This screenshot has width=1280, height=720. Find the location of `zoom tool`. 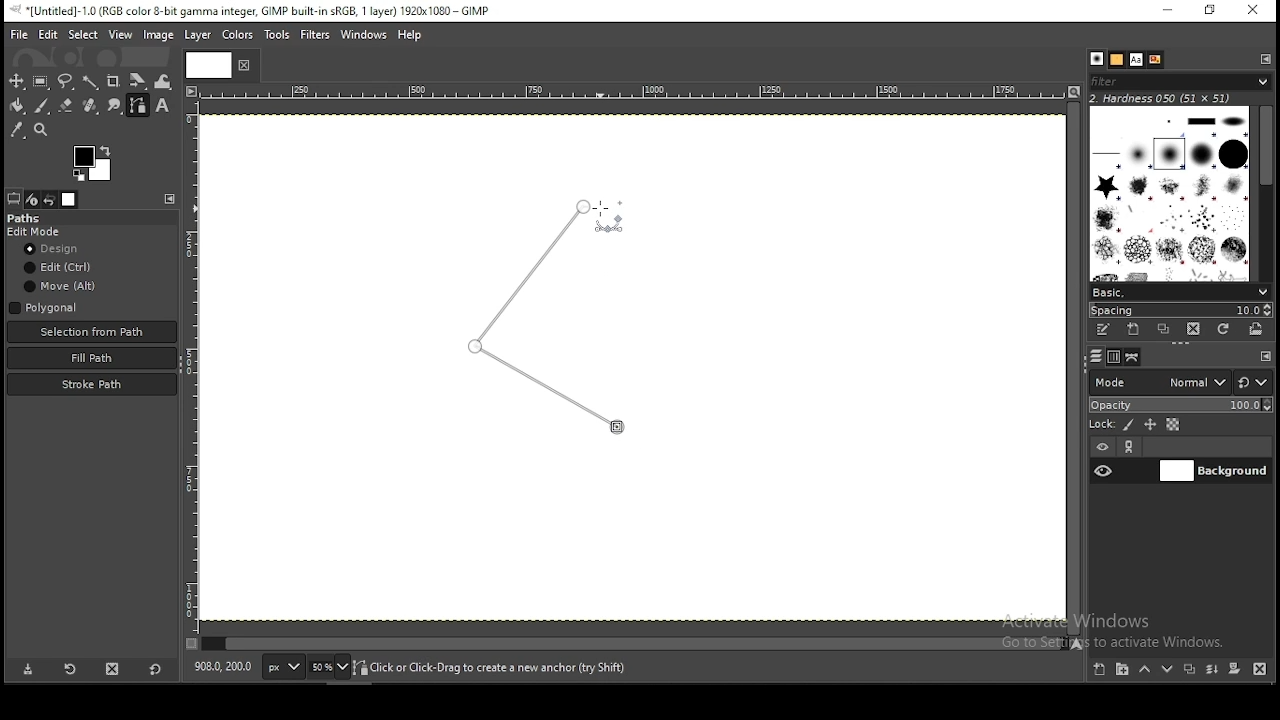

zoom tool is located at coordinates (42, 129).